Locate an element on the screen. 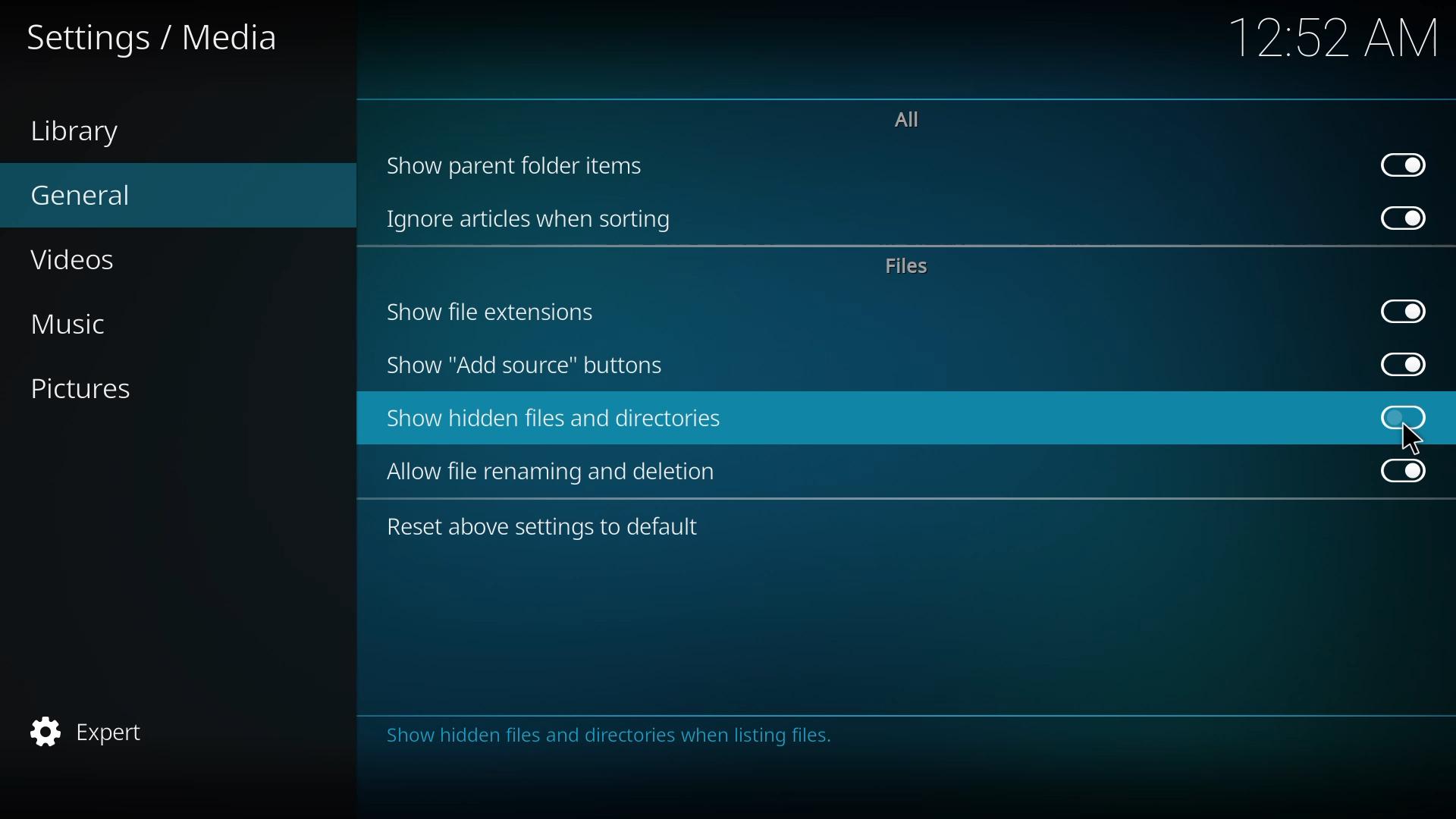  music is located at coordinates (89, 322).